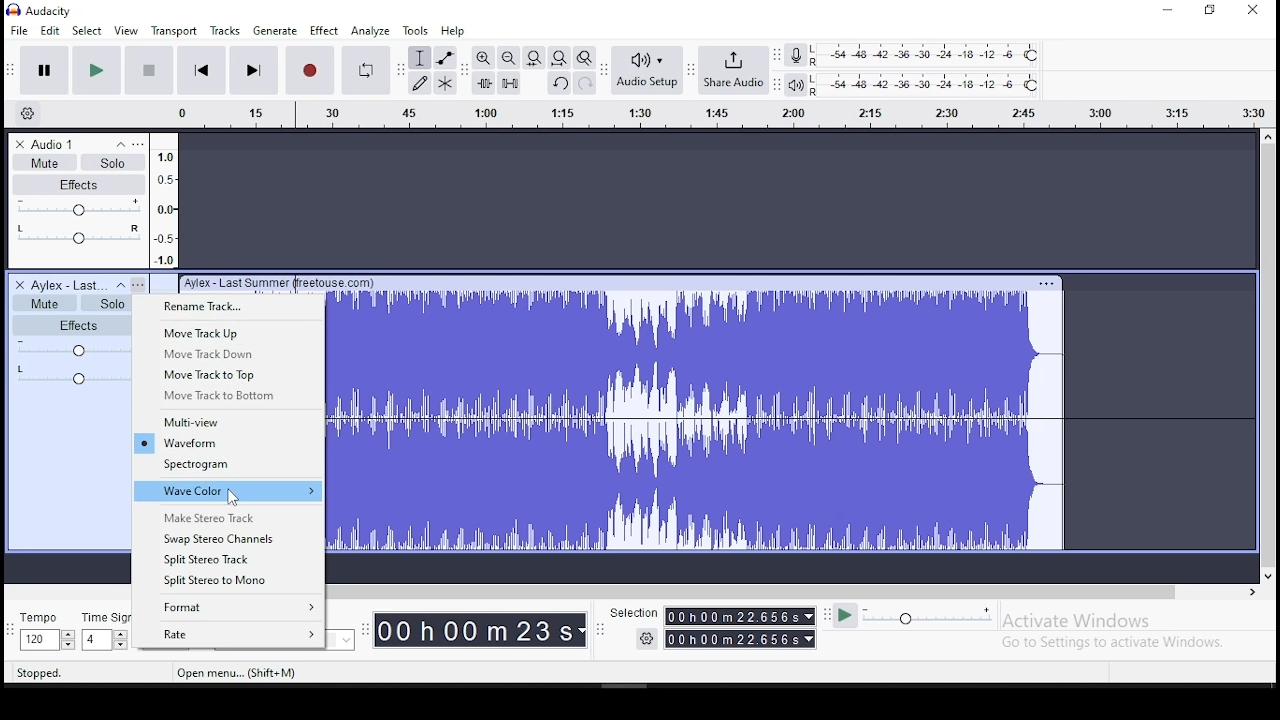 Image resolution: width=1280 pixels, height=720 pixels. I want to click on volume, so click(69, 348).